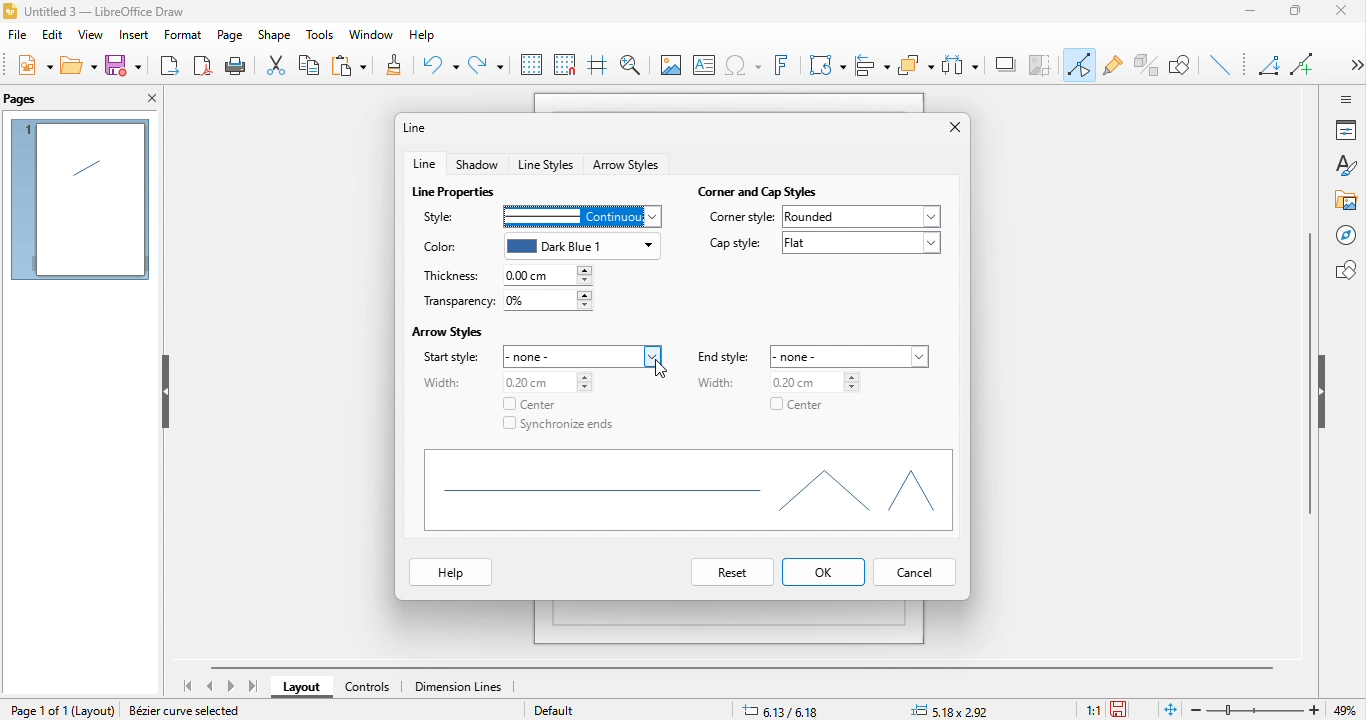 This screenshot has width=1366, height=720. I want to click on insert line, so click(1224, 66).